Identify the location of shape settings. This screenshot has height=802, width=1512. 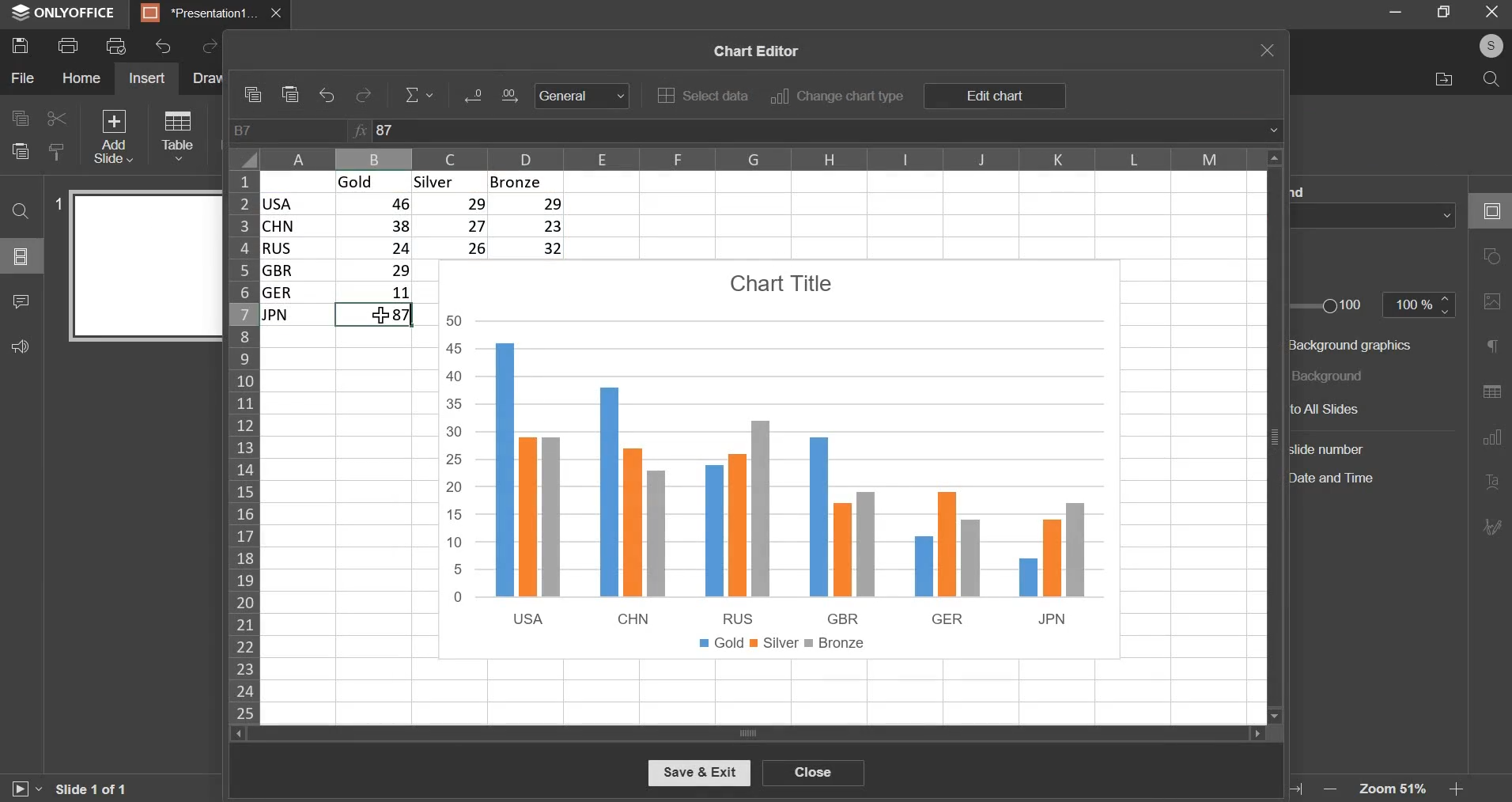
(1495, 257).